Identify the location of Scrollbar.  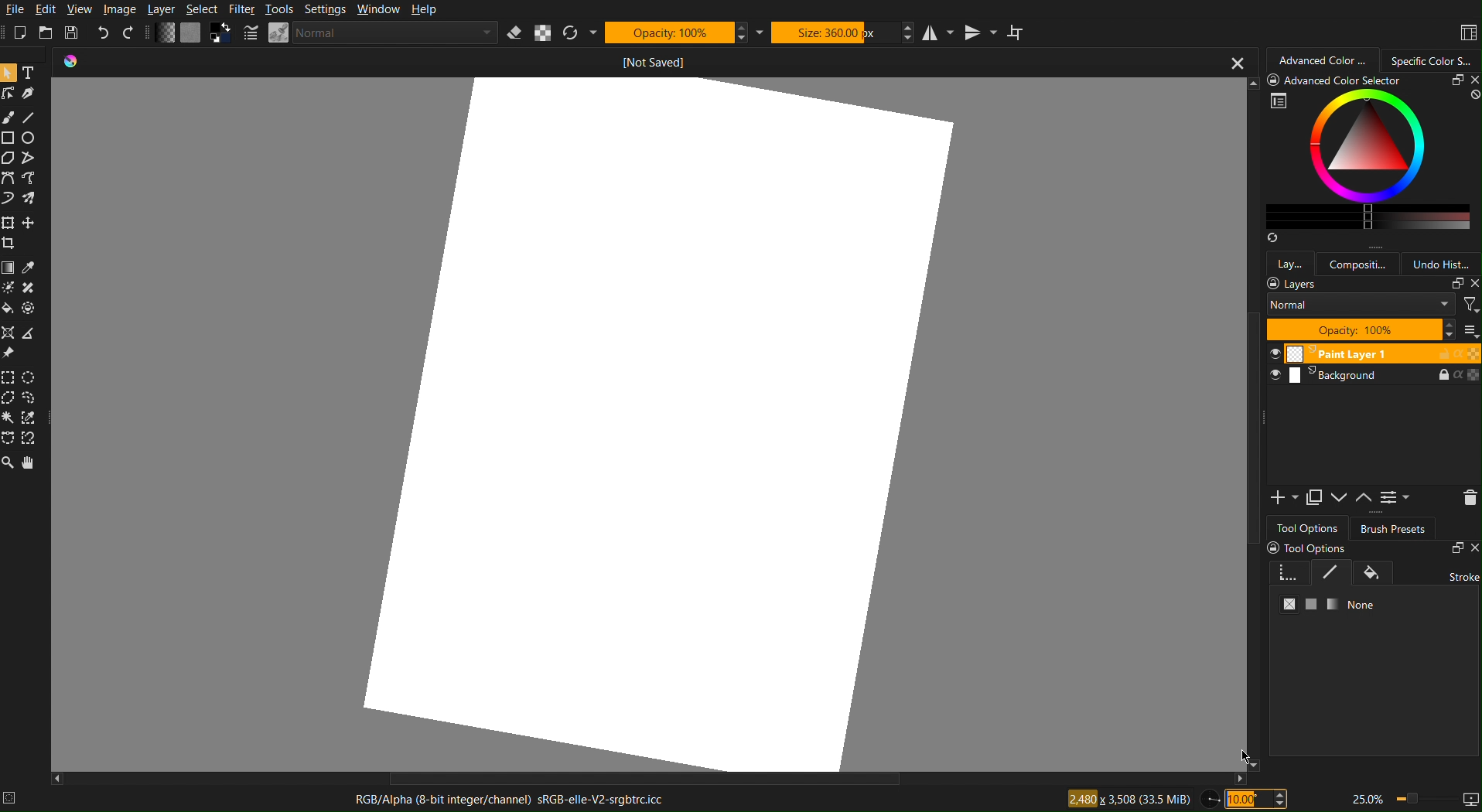
(1253, 425).